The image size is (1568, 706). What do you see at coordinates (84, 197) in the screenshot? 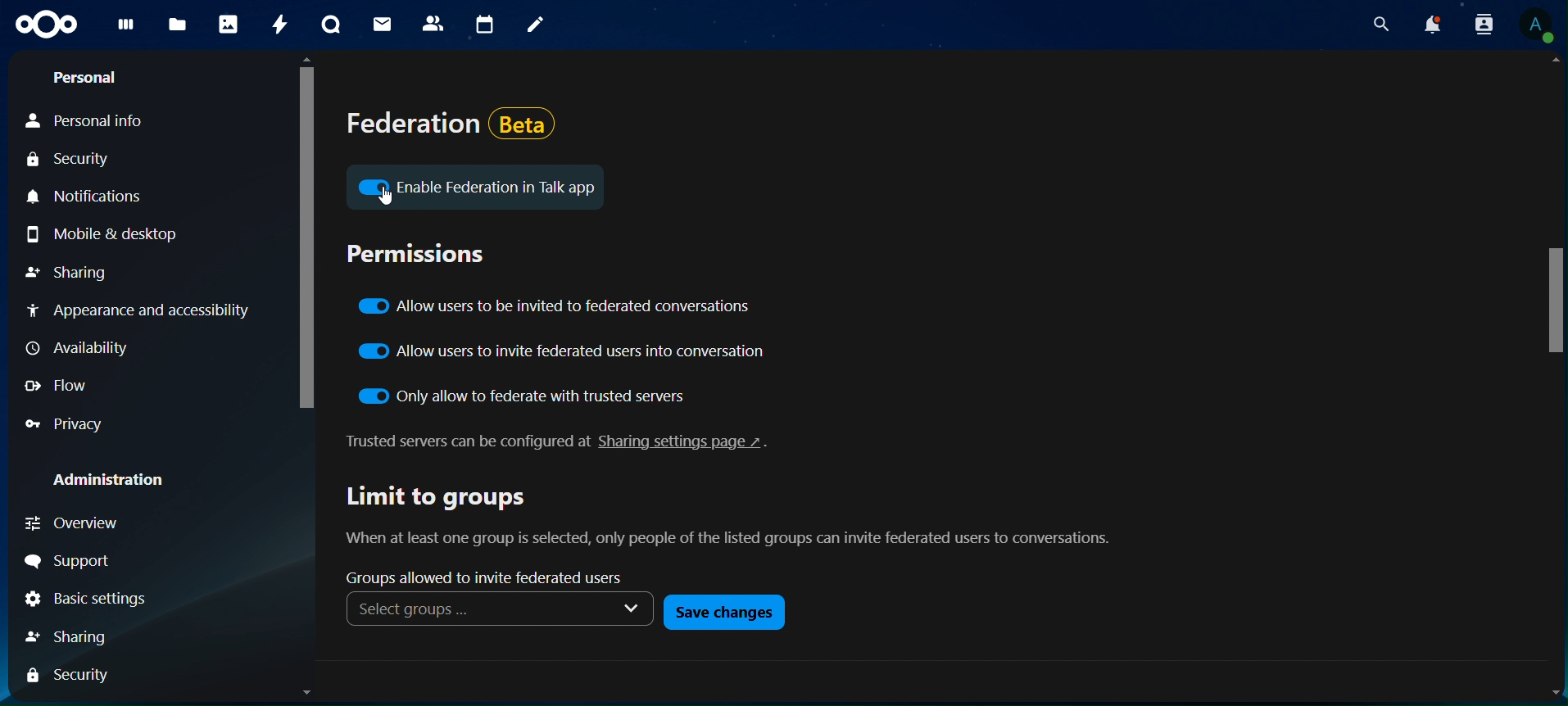
I see `Notifications` at bounding box center [84, 197].